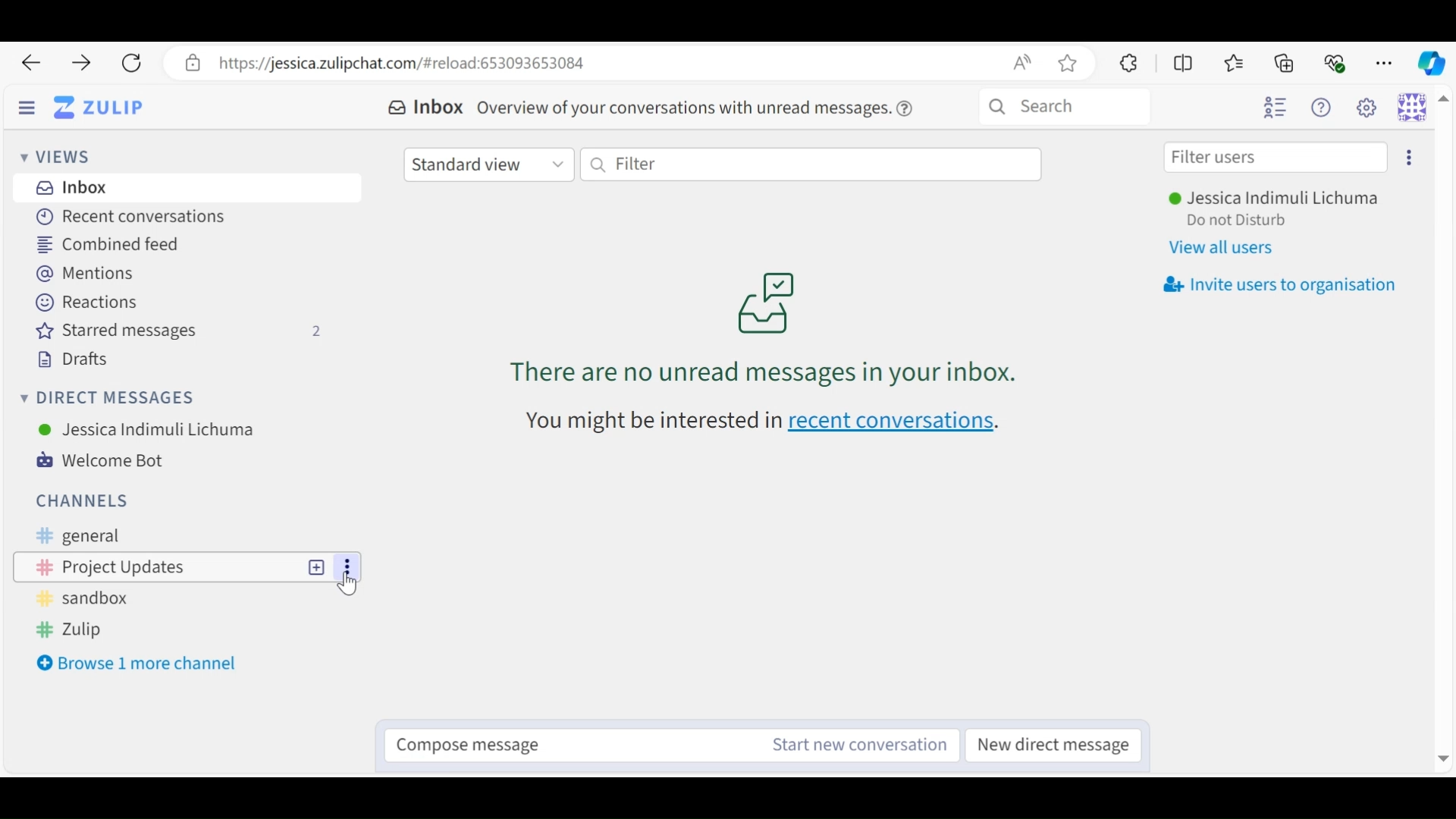 The width and height of the screenshot is (1456, 819). I want to click on Filter users, so click(1276, 158).